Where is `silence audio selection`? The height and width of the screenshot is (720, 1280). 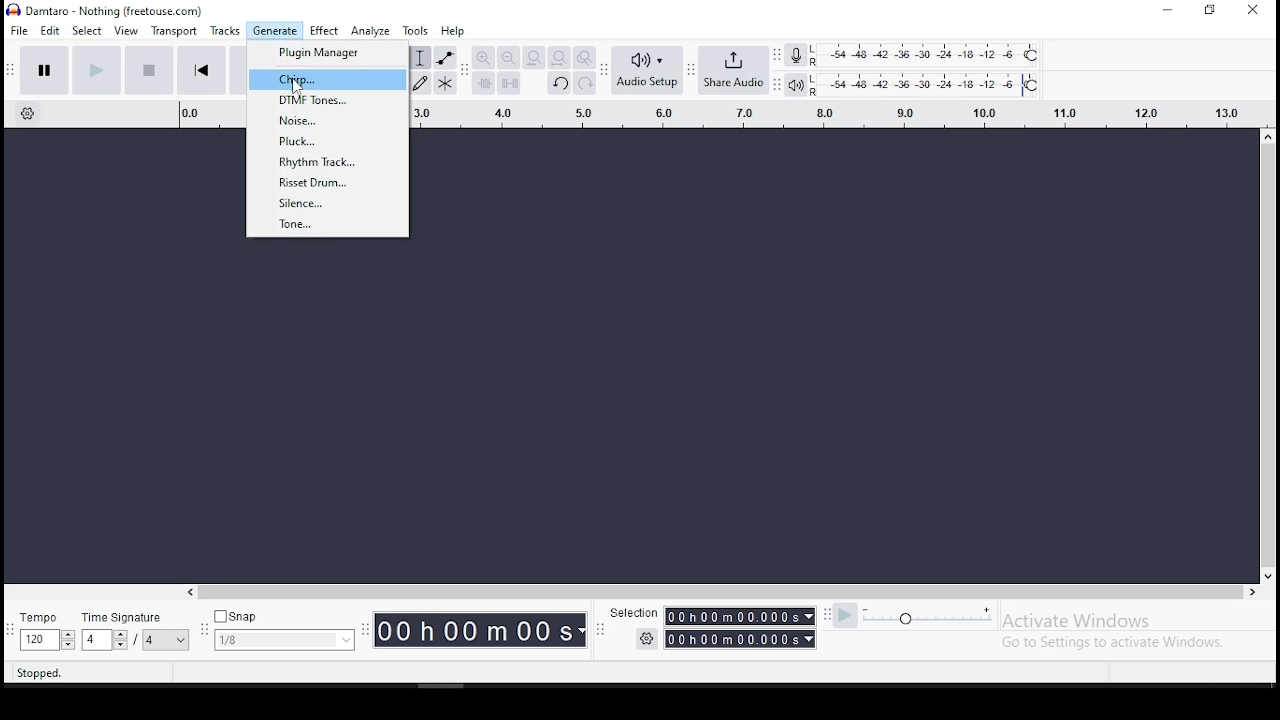 silence audio selection is located at coordinates (510, 83).